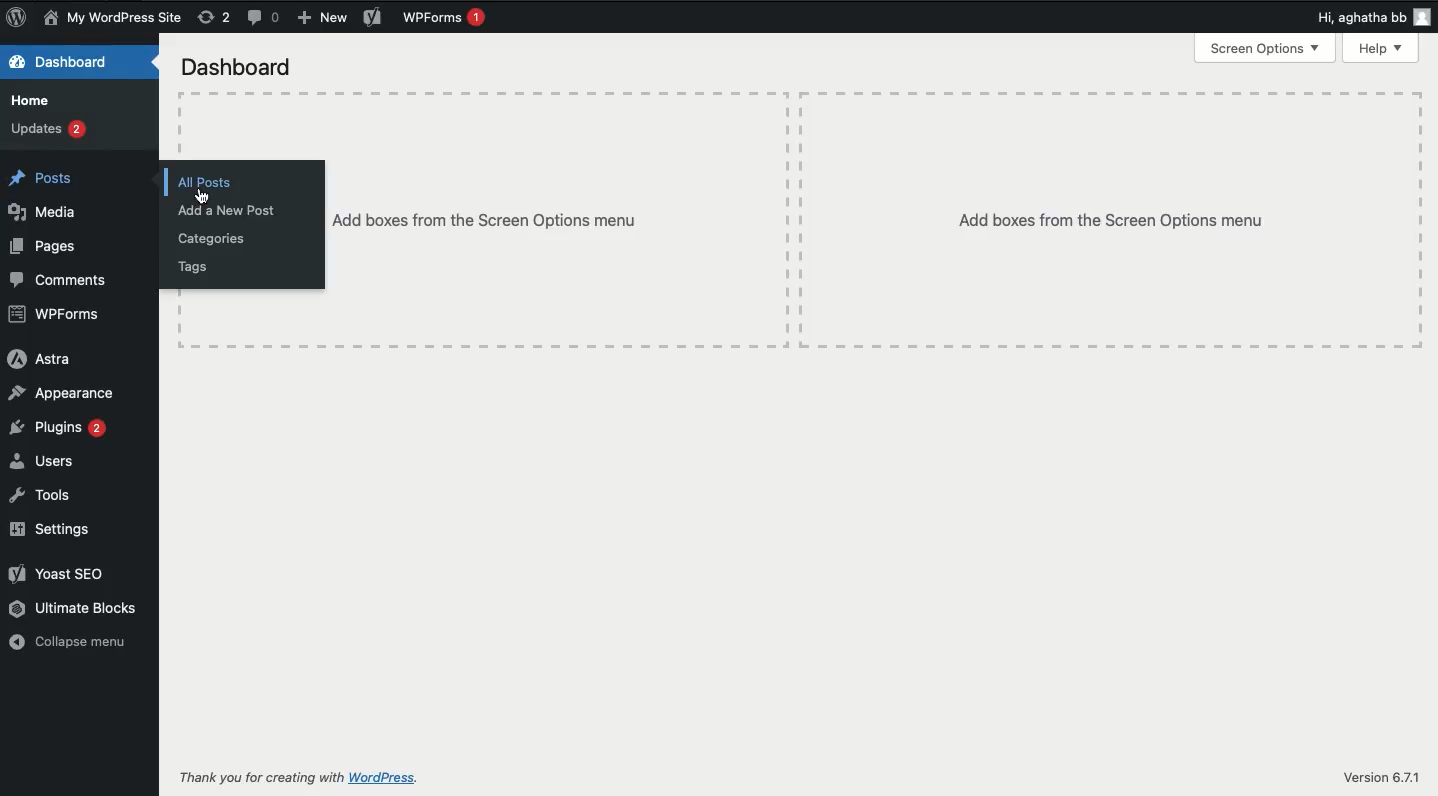 The width and height of the screenshot is (1438, 796). What do you see at coordinates (1380, 50) in the screenshot?
I see `Help` at bounding box center [1380, 50].